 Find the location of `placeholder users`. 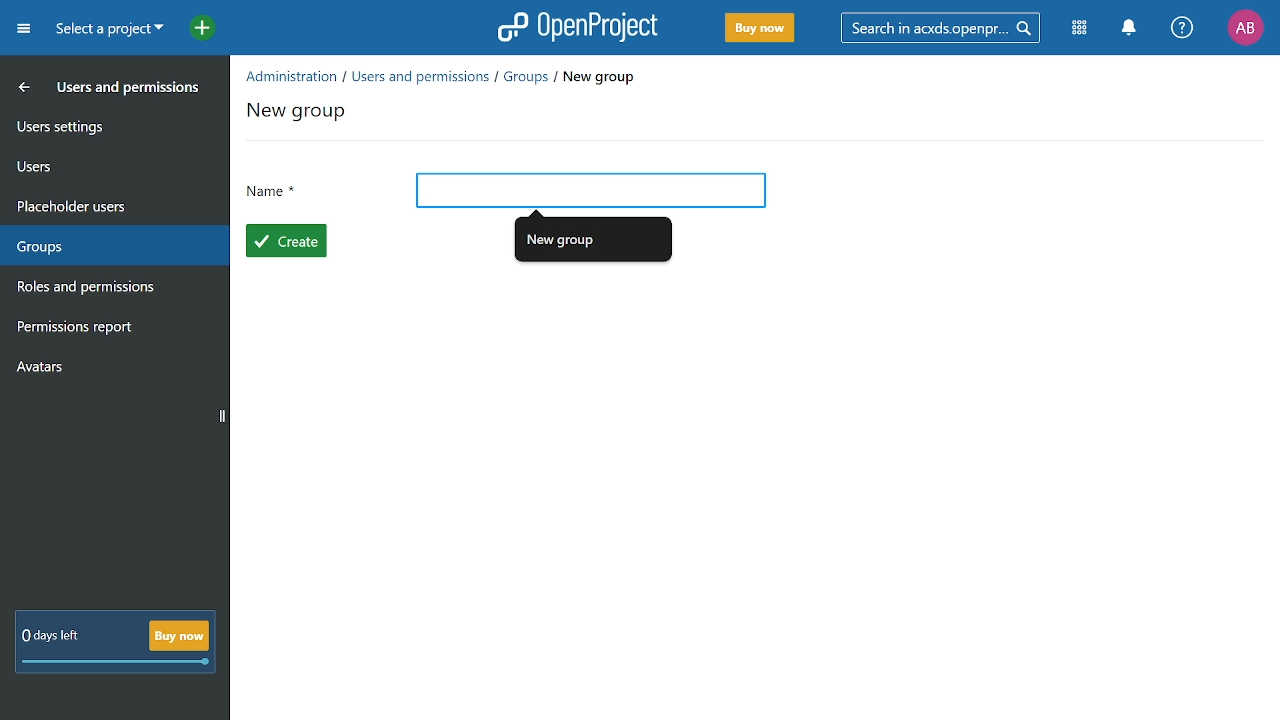

placeholder users is located at coordinates (102, 205).